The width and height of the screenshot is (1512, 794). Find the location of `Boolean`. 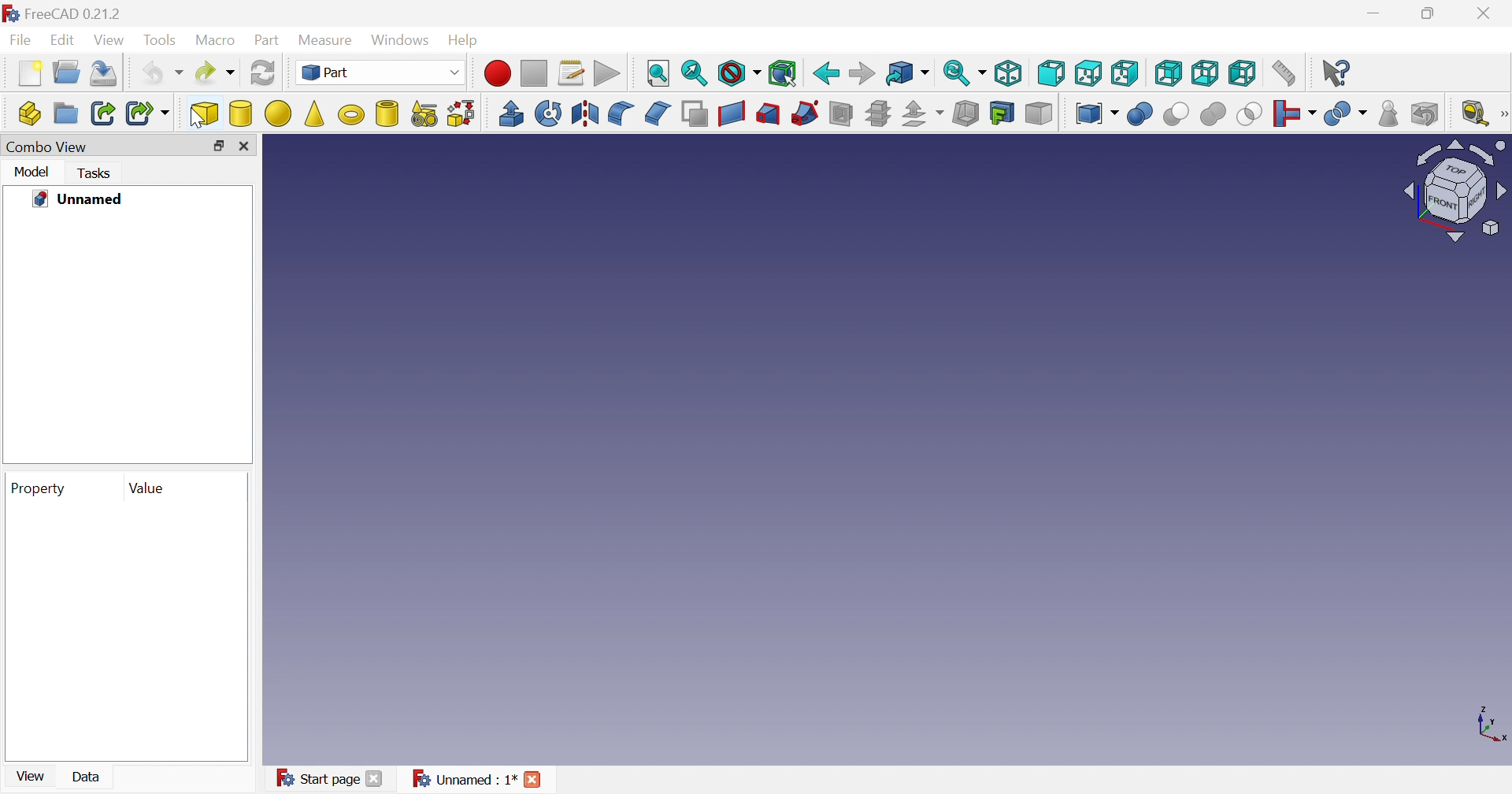

Boolean is located at coordinates (1138, 115).